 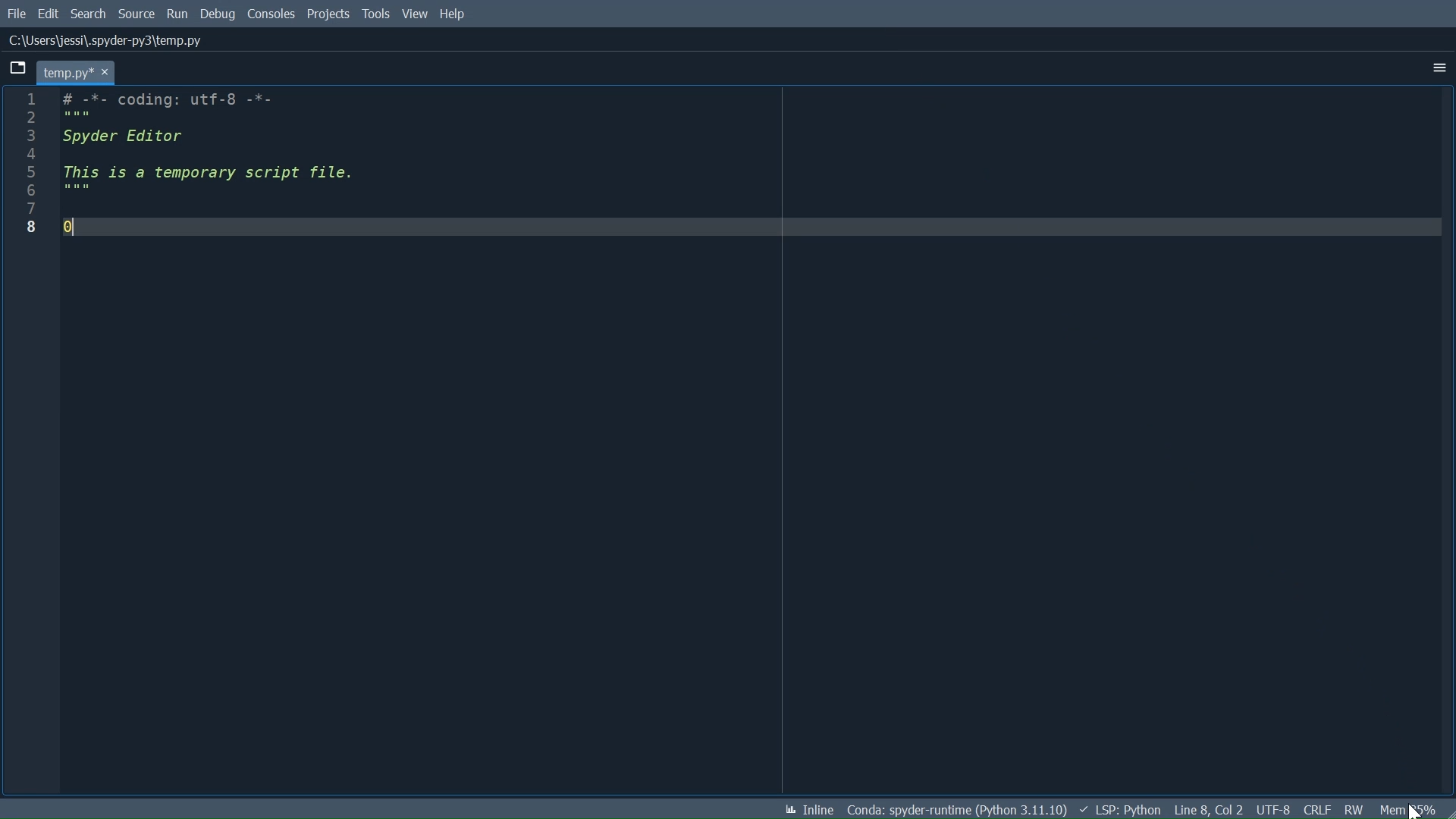 I want to click on Browse Tabs, so click(x=16, y=67).